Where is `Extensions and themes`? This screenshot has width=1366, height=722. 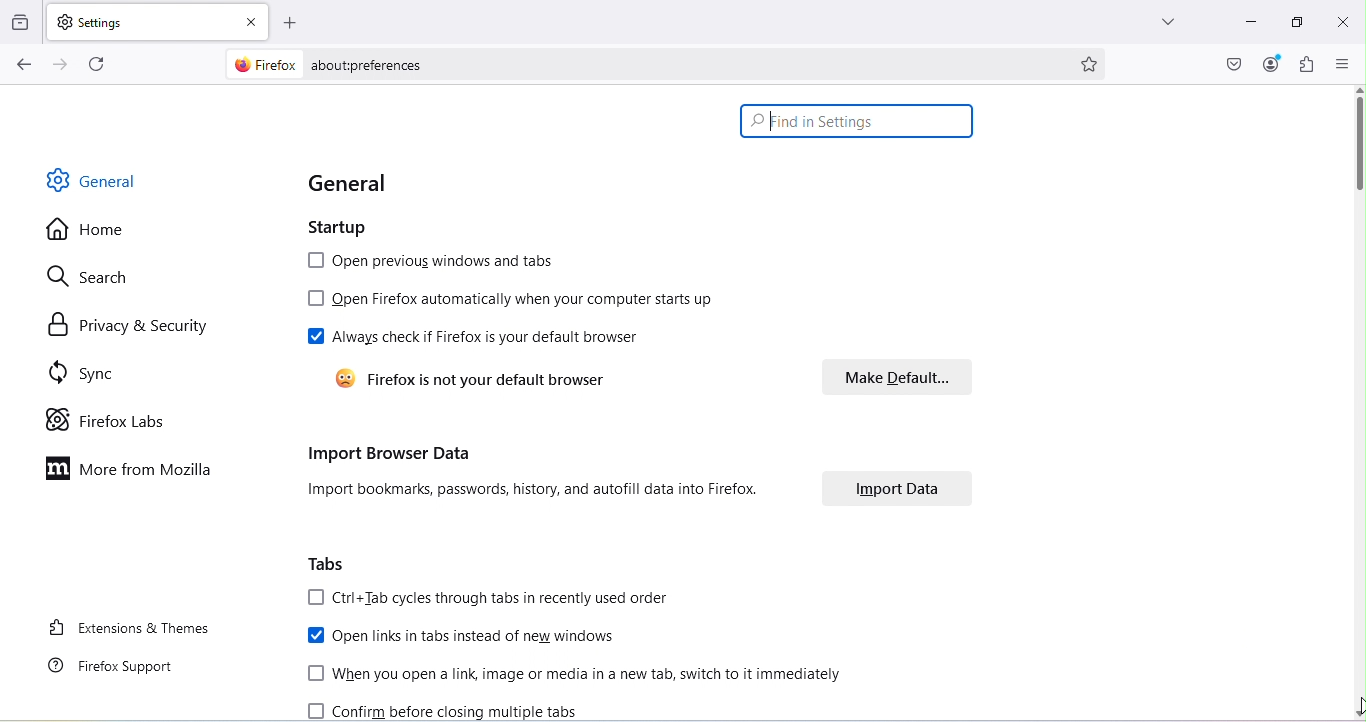
Extensions and themes is located at coordinates (130, 627).